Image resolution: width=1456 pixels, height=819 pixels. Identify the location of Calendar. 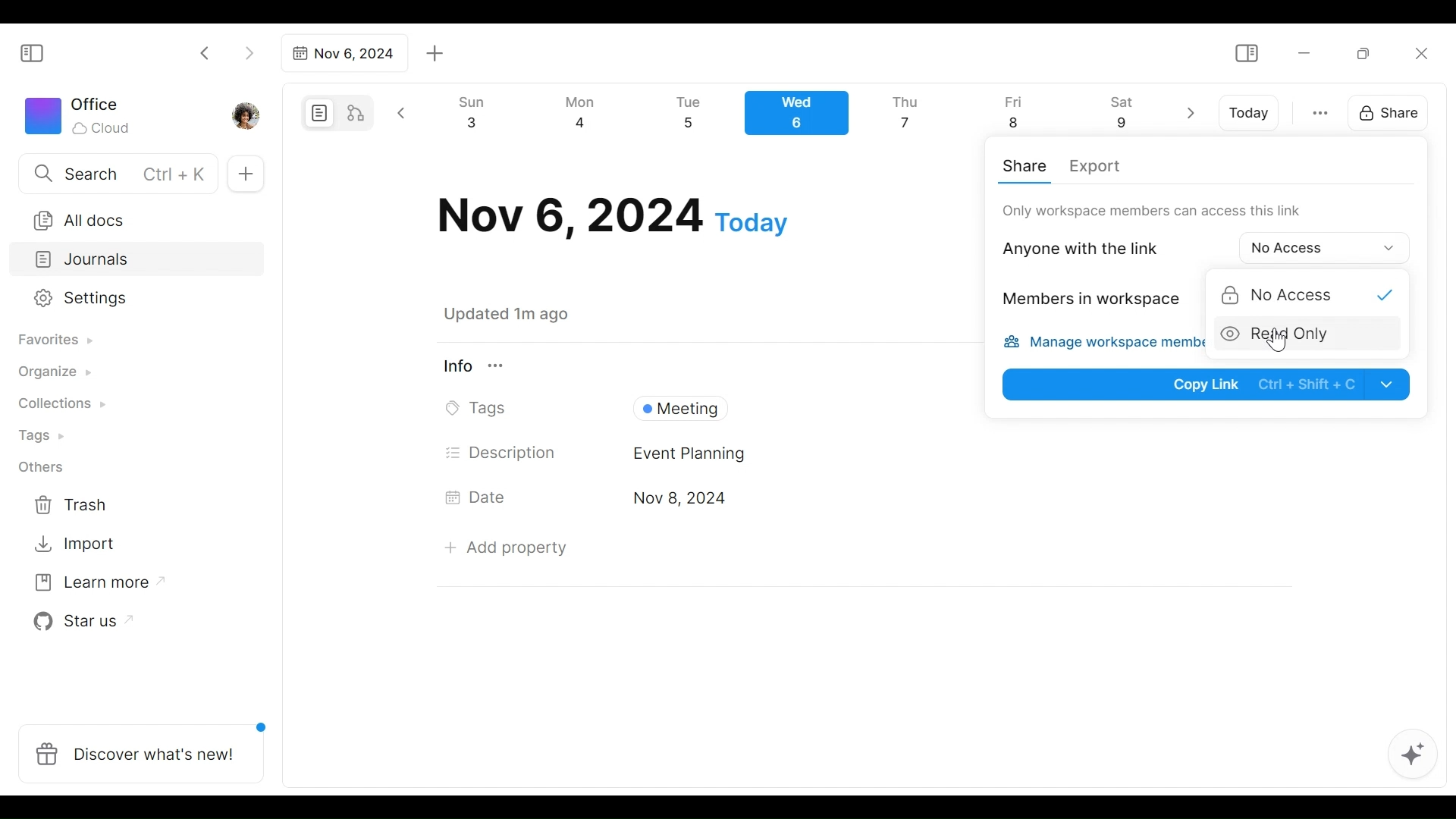
(803, 117).